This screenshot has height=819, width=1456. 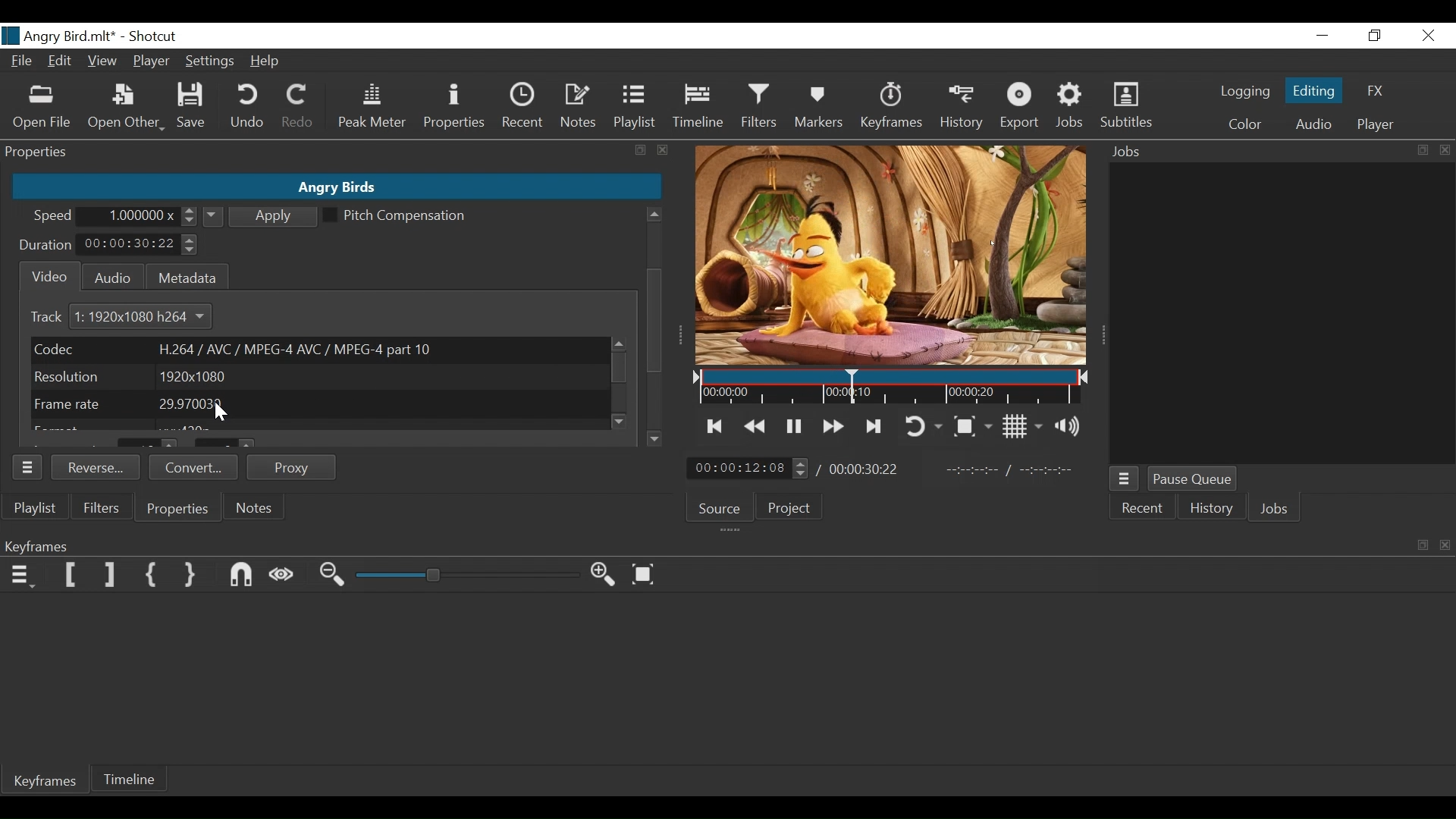 What do you see at coordinates (656, 311) in the screenshot?
I see `cursor` at bounding box center [656, 311].